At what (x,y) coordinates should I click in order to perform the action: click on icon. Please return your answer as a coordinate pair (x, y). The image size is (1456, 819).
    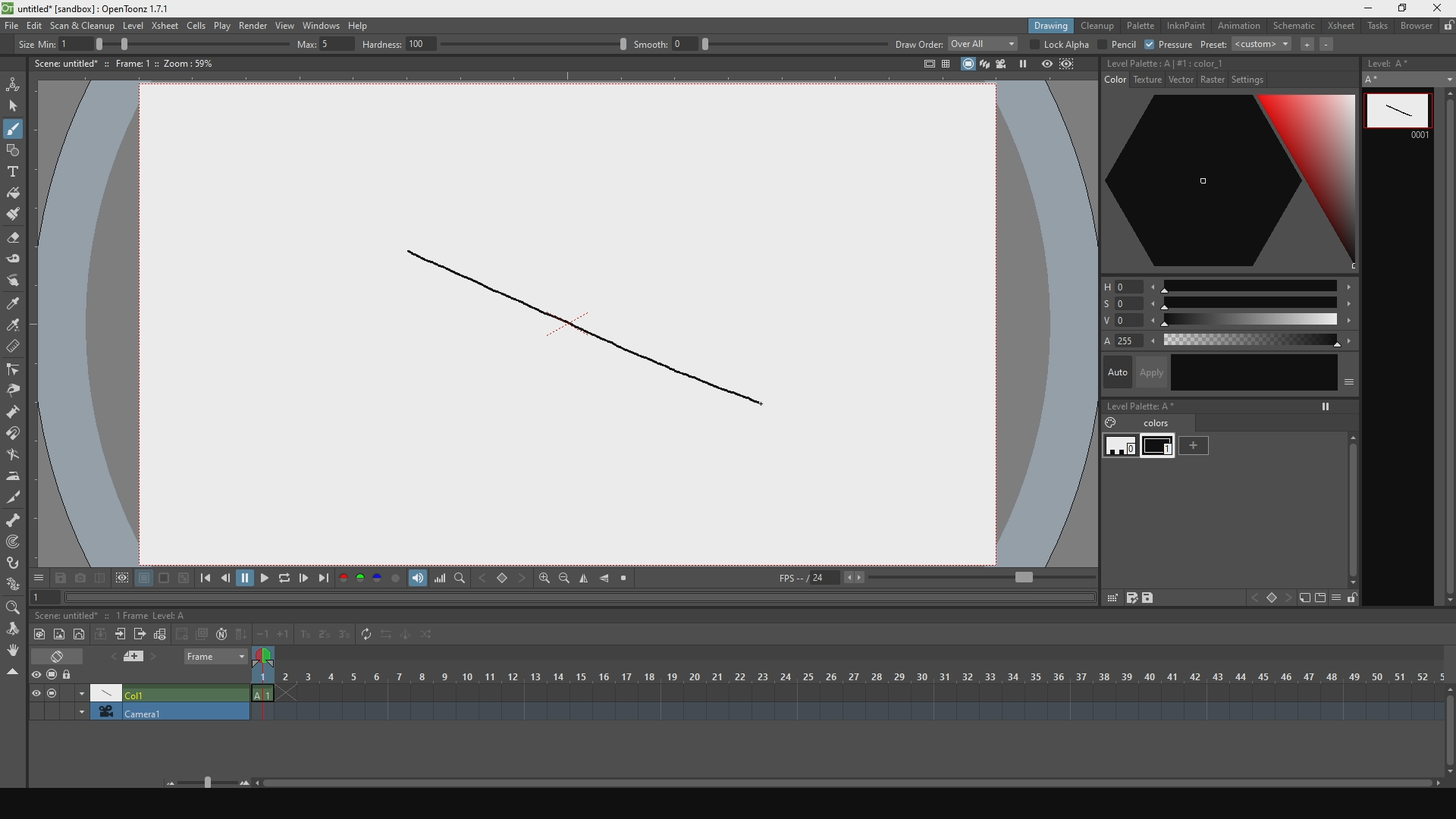
    Looking at the image, I should click on (1269, 597).